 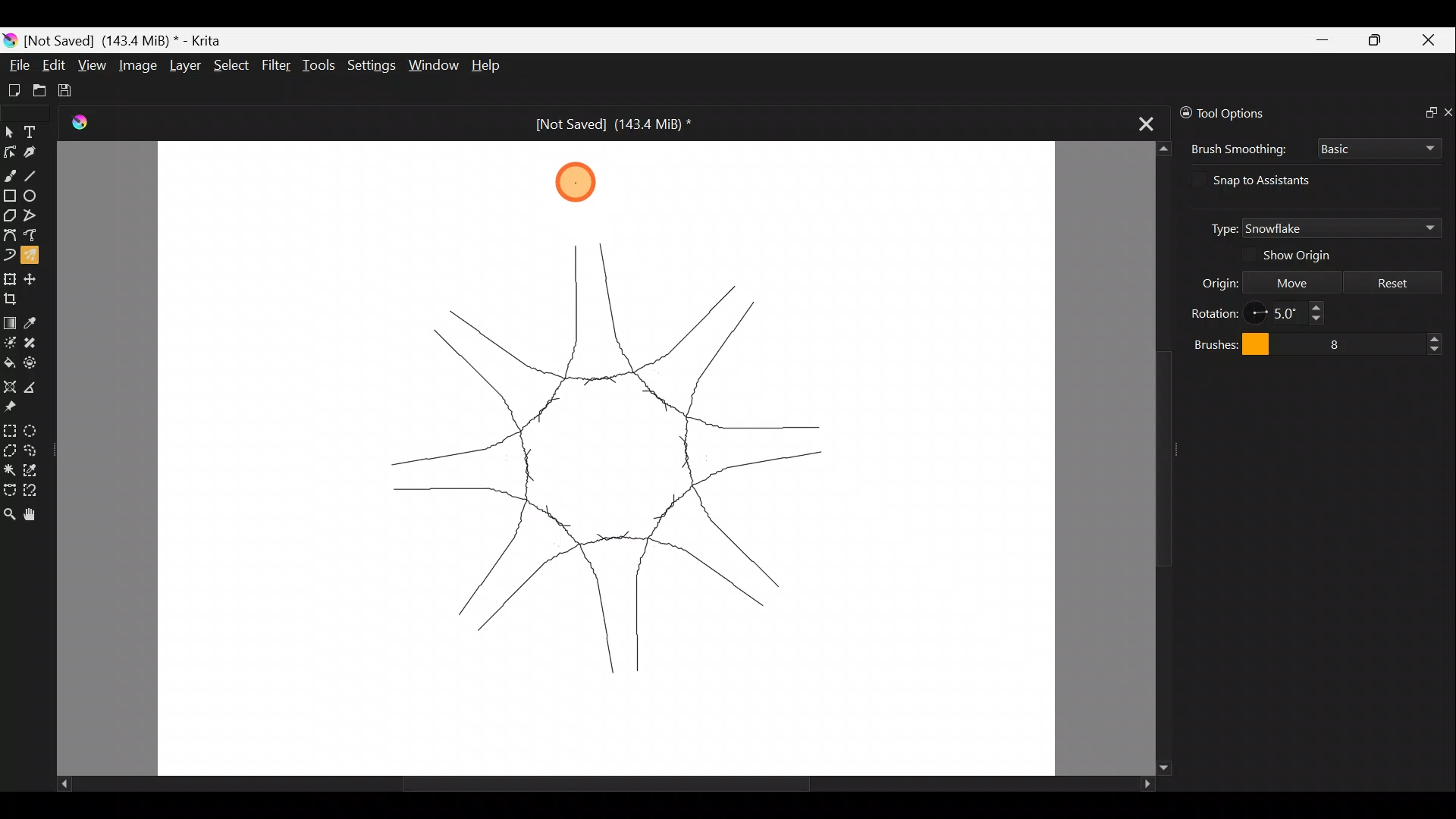 What do you see at coordinates (1341, 228) in the screenshot?
I see `Snowflake` at bounding box center [1341, 228].